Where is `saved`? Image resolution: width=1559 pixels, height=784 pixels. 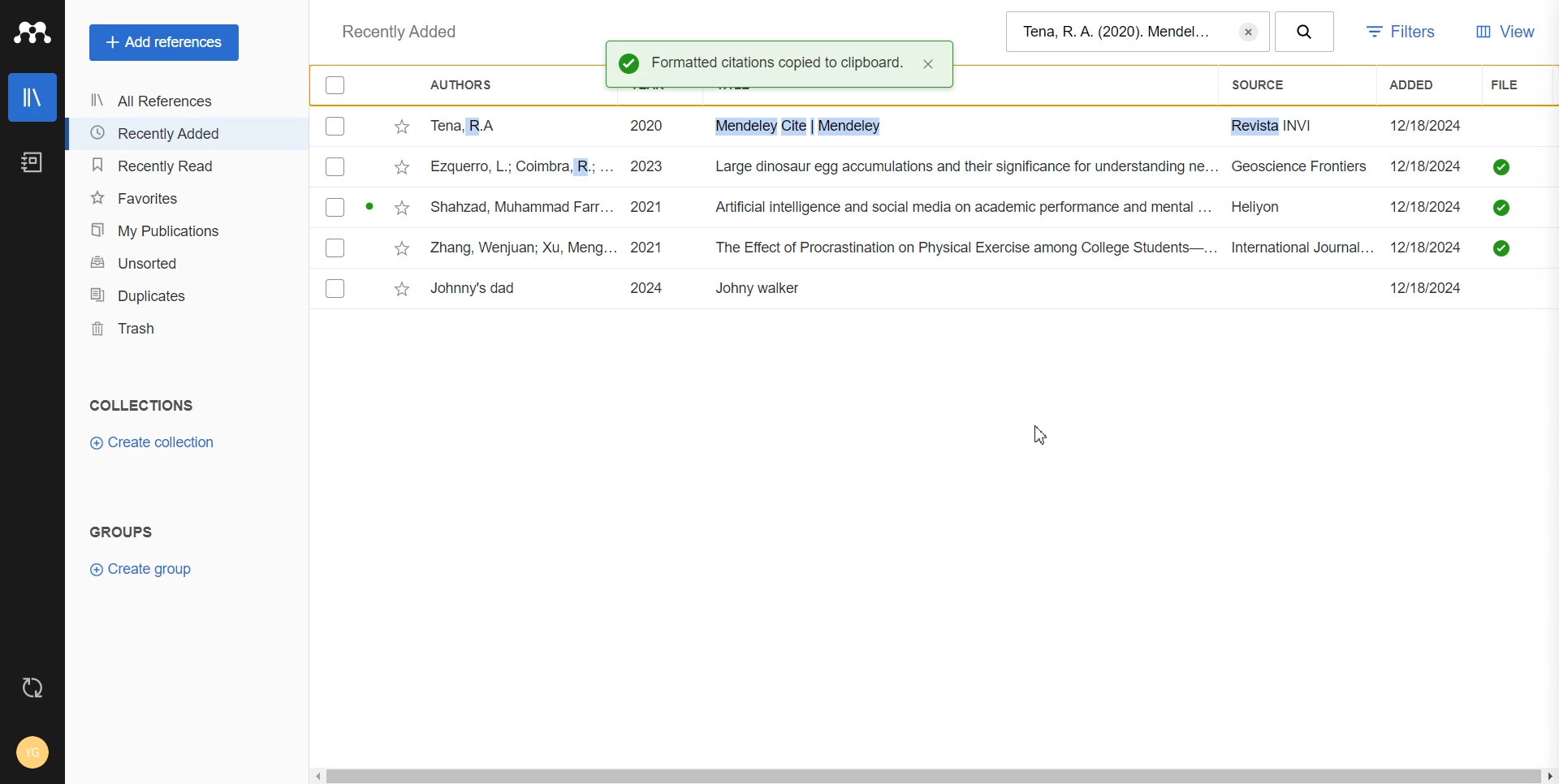
saved is located at coordinates (1502, 207).